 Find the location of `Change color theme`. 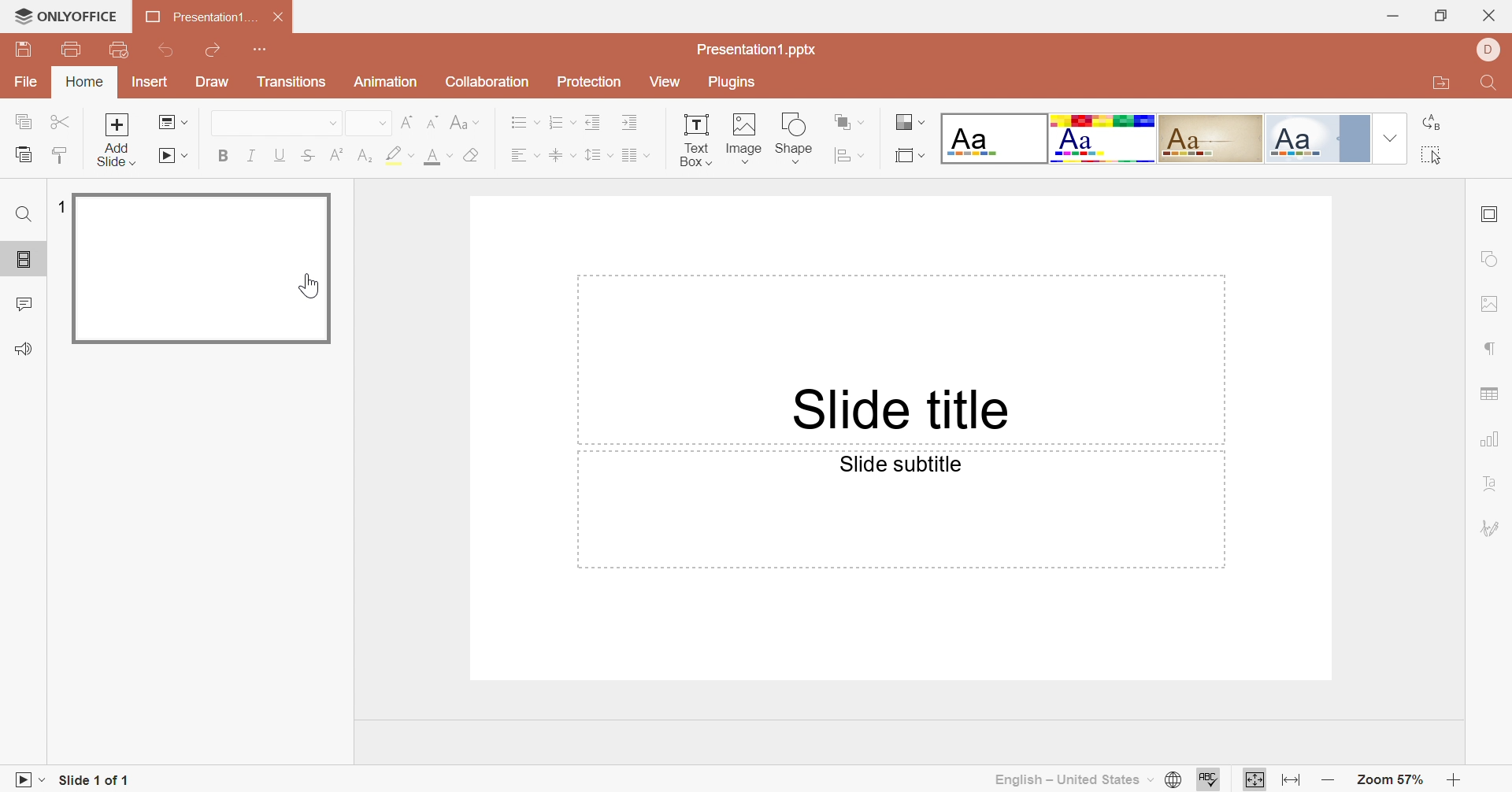

Change color theme is located at coordinates (902, 121).